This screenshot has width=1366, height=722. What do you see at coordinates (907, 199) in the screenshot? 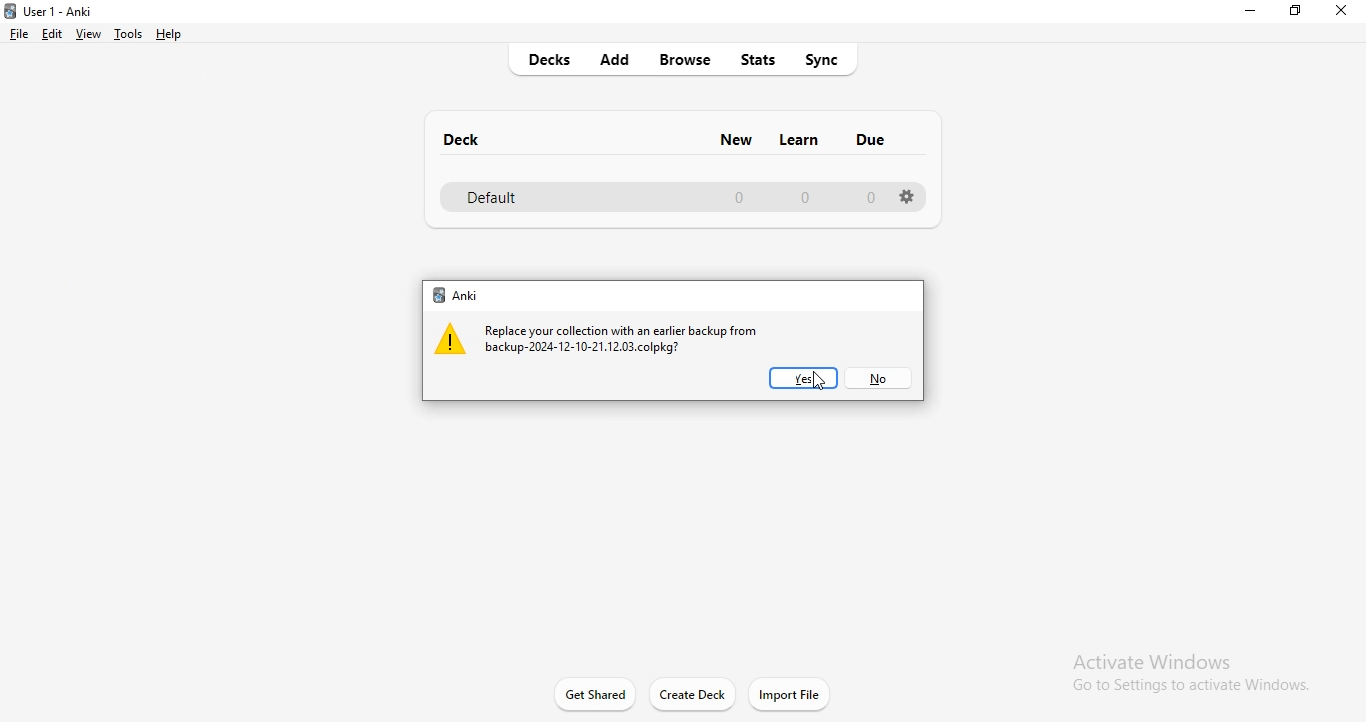
I see `settings` at bounding box center [907, 199].